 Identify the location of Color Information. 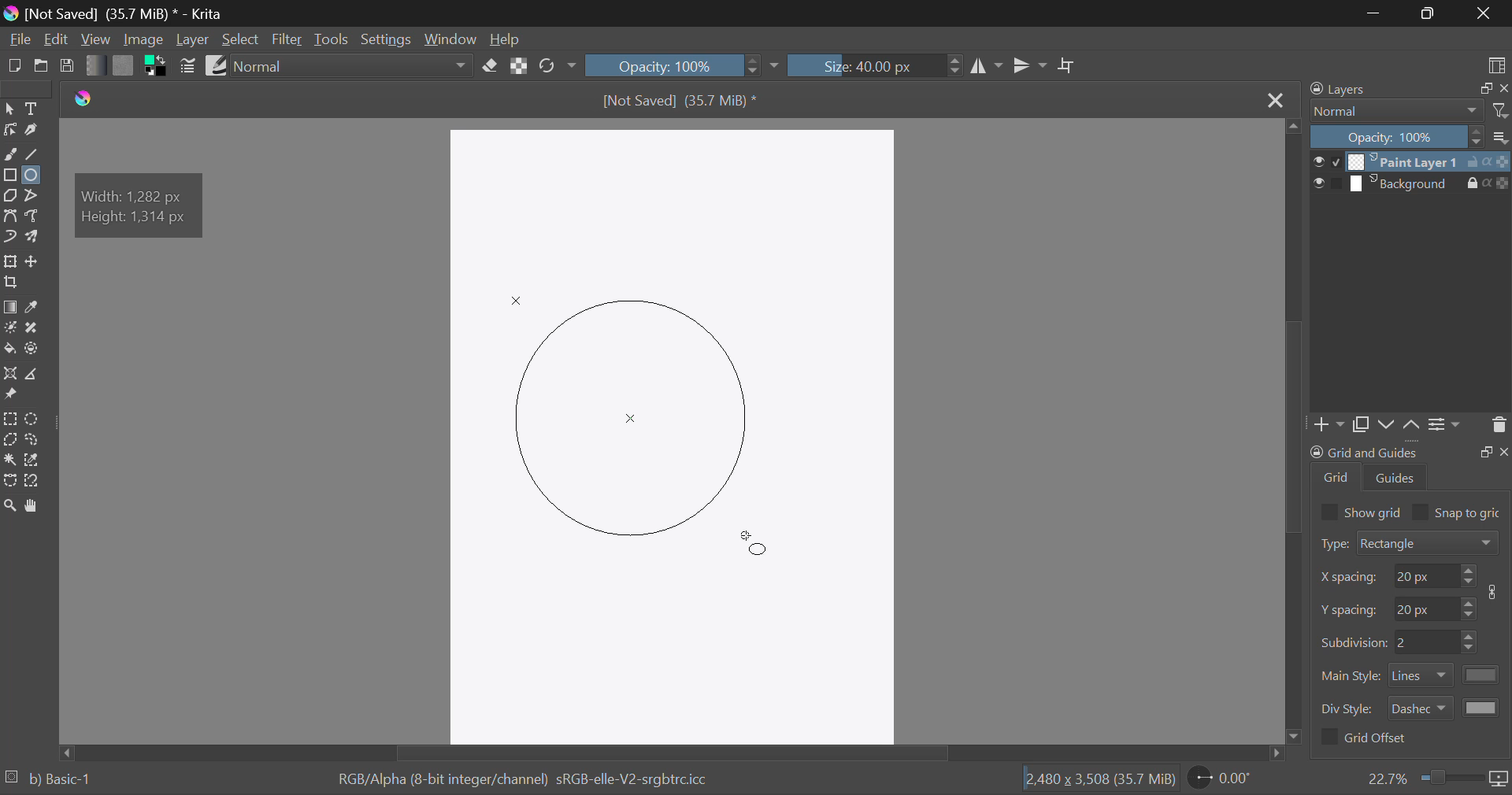
(517, 781).